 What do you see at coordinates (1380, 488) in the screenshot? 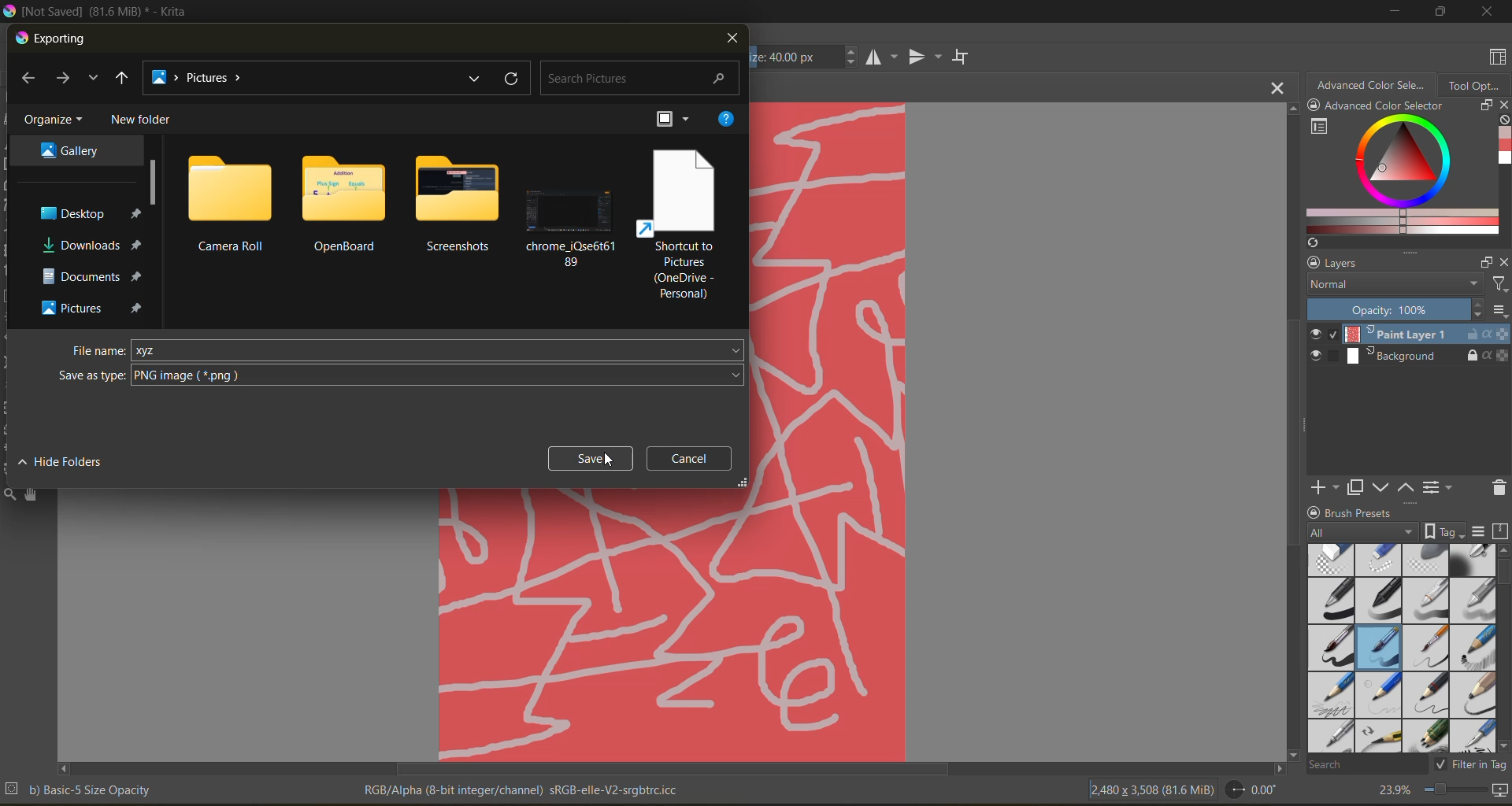
I see `mask down` at bounding box center [1380, 488].